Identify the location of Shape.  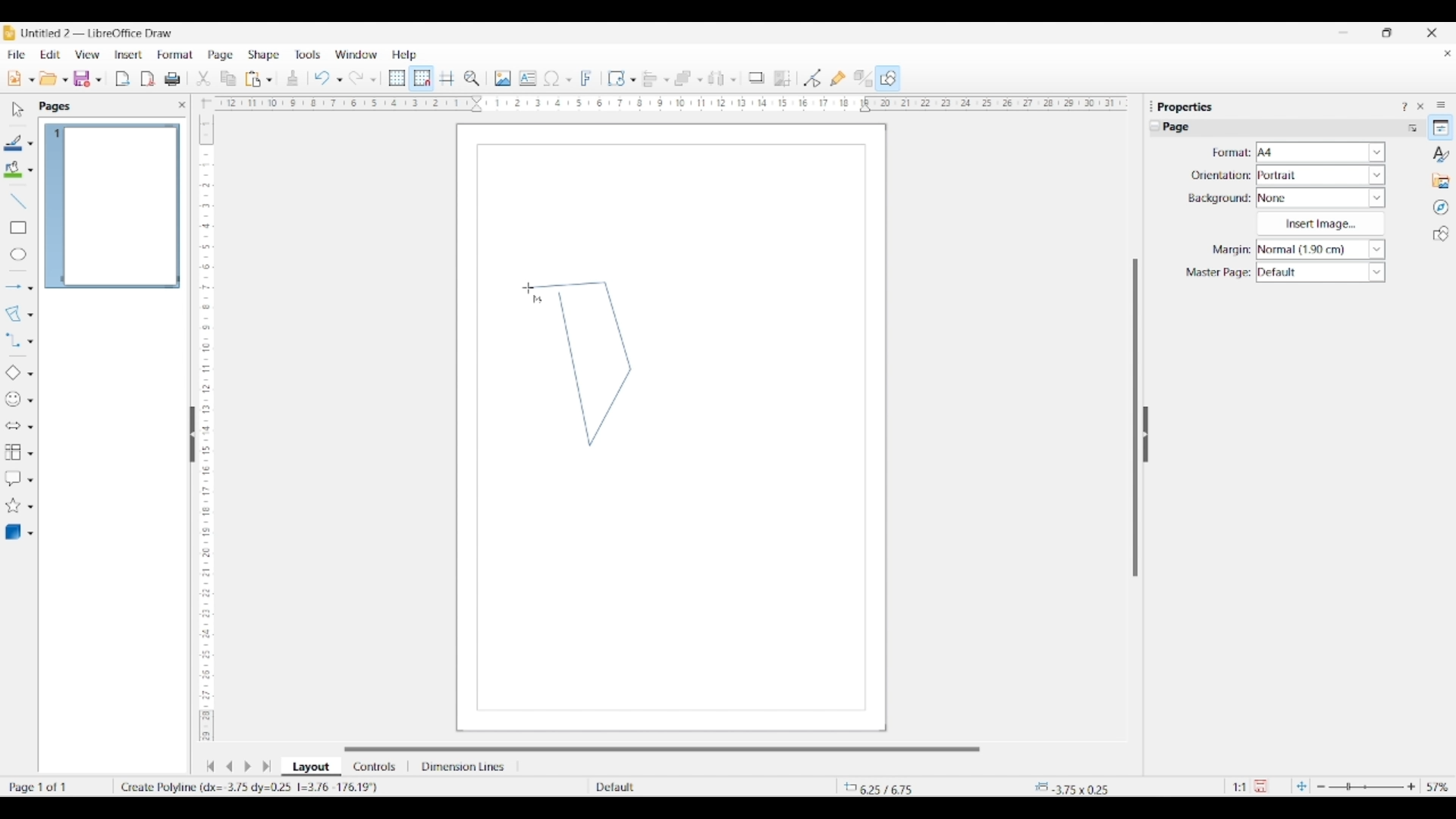
(265, 55).